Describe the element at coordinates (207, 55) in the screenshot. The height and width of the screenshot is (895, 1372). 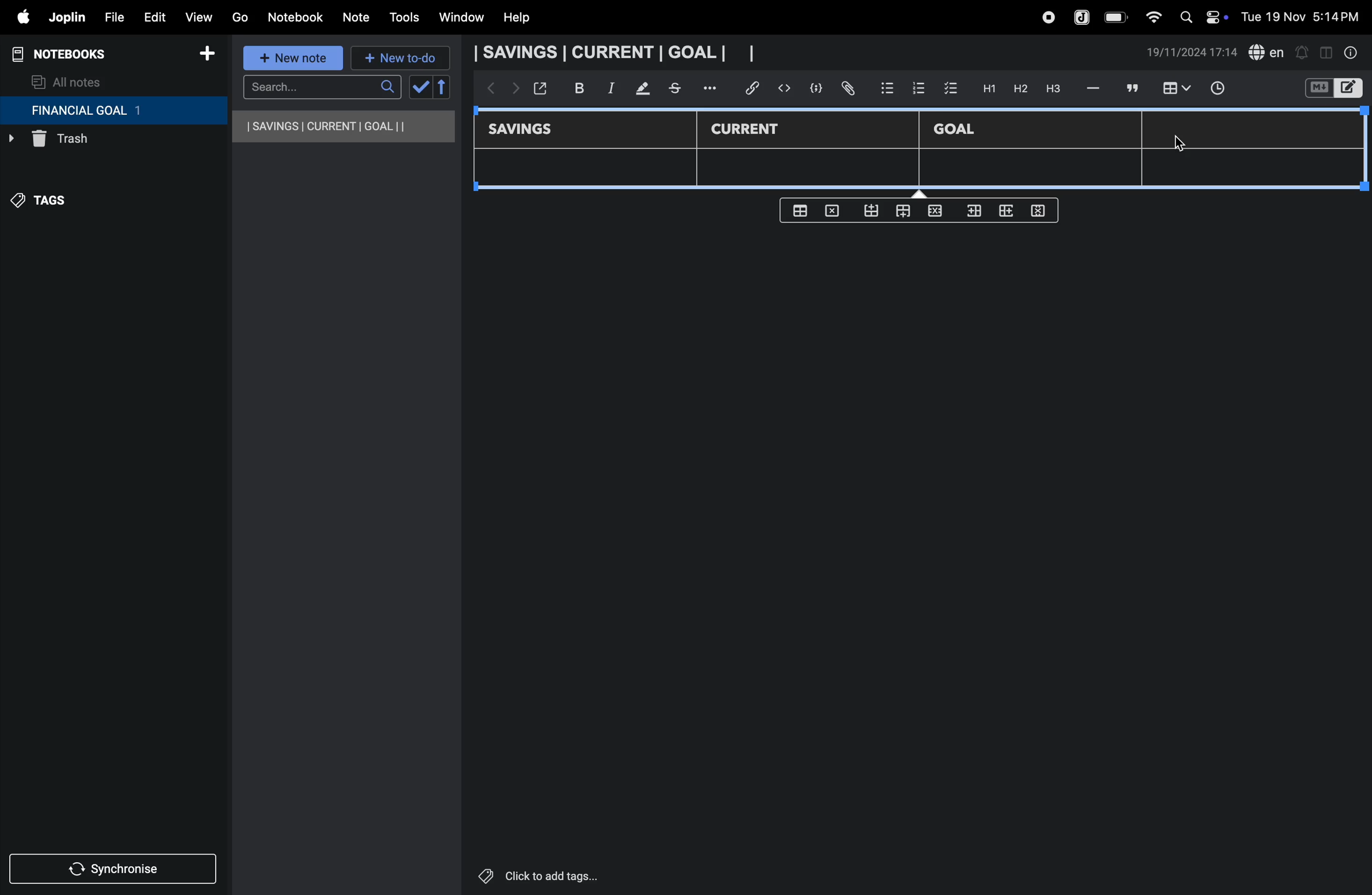
I see `add` at that location.